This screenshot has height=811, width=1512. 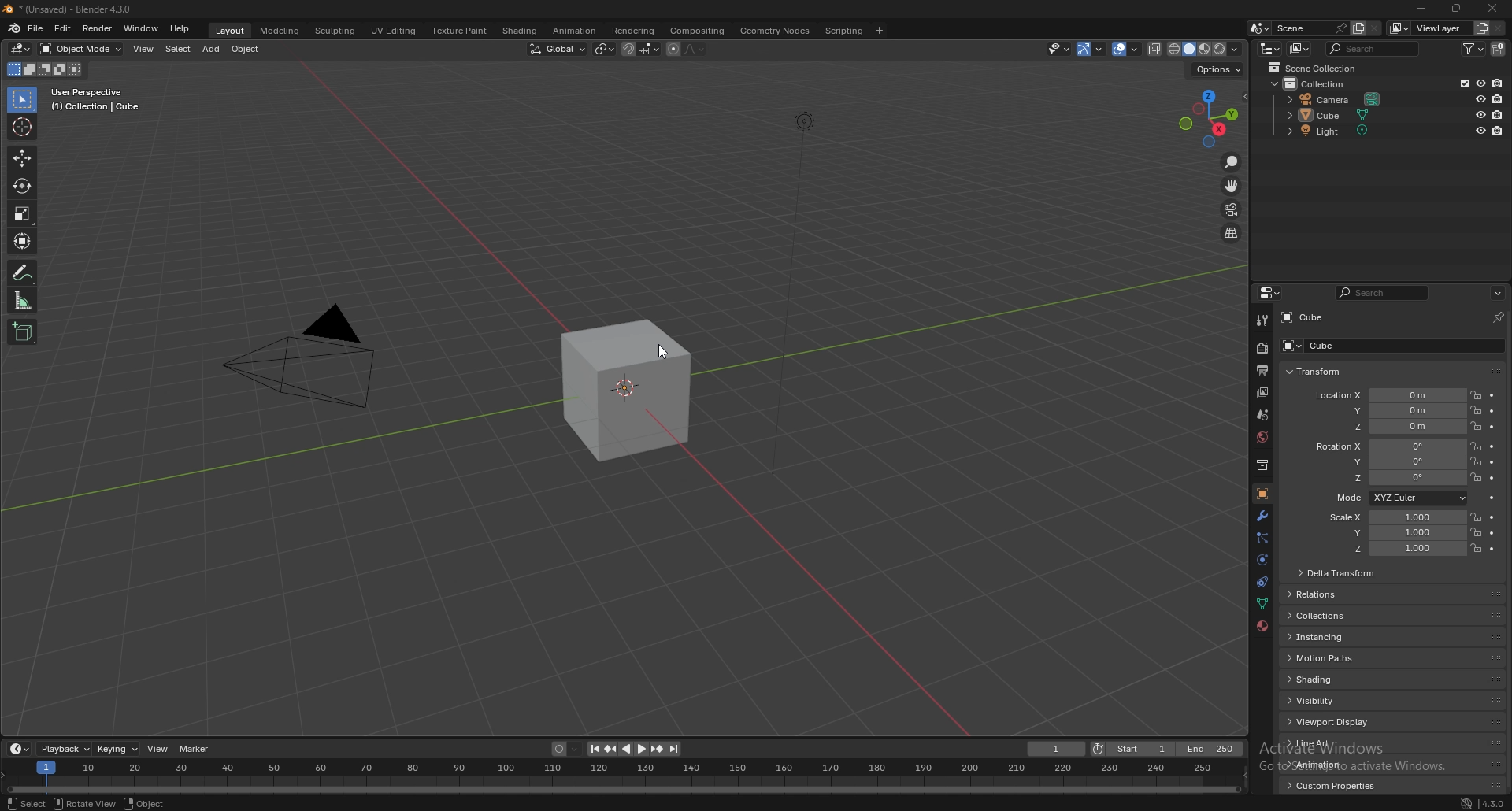 What do you see at coordinates (669, 354) in the screenshot?
I see `CURSOR` at bounding box center [669, 354].